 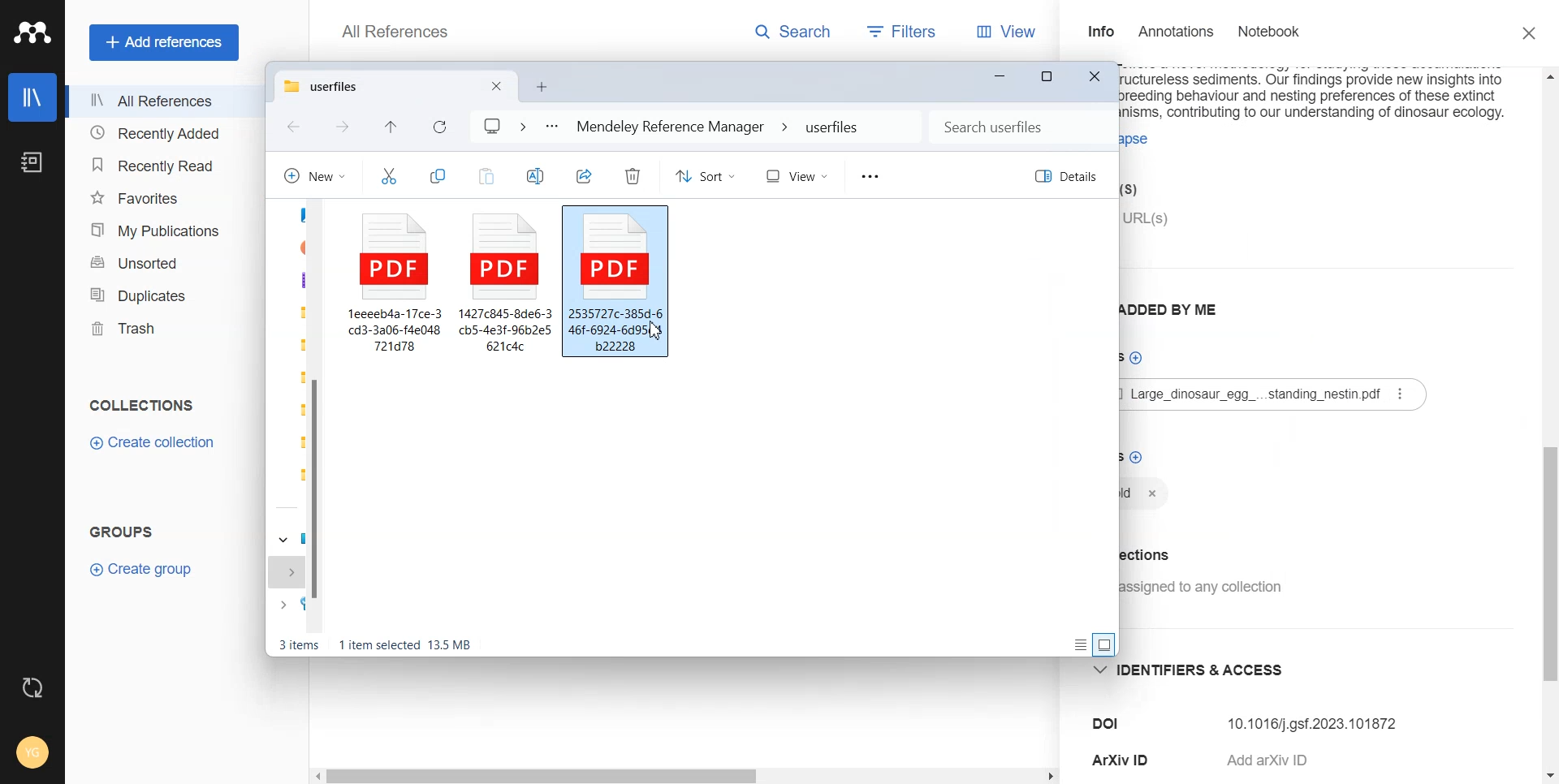 What do you see at coordinates (1079, 643) in the screenshot?
I see `Display information about each item on display` at bounding box center [1079, 643].